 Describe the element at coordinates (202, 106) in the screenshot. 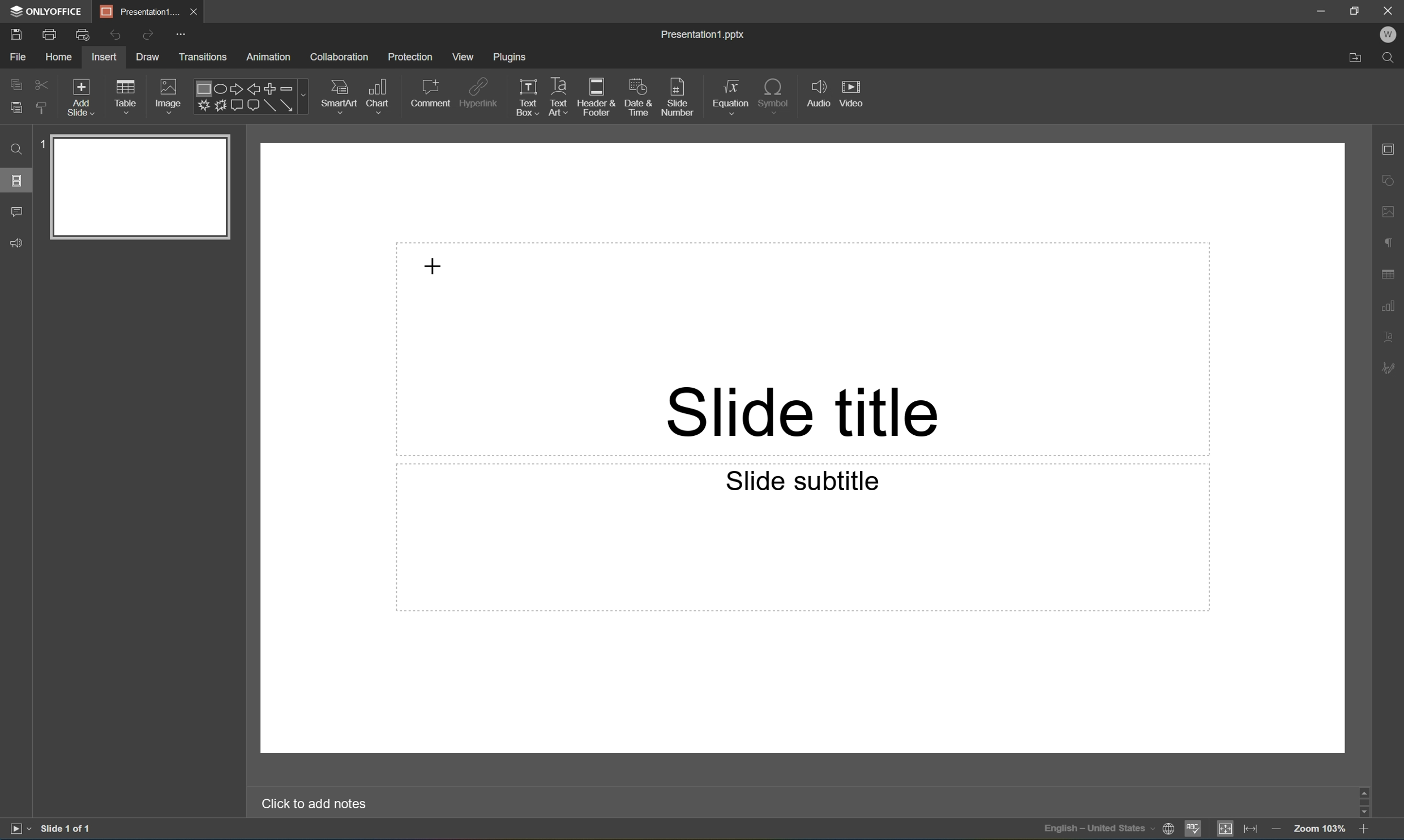

I see `` at that location.